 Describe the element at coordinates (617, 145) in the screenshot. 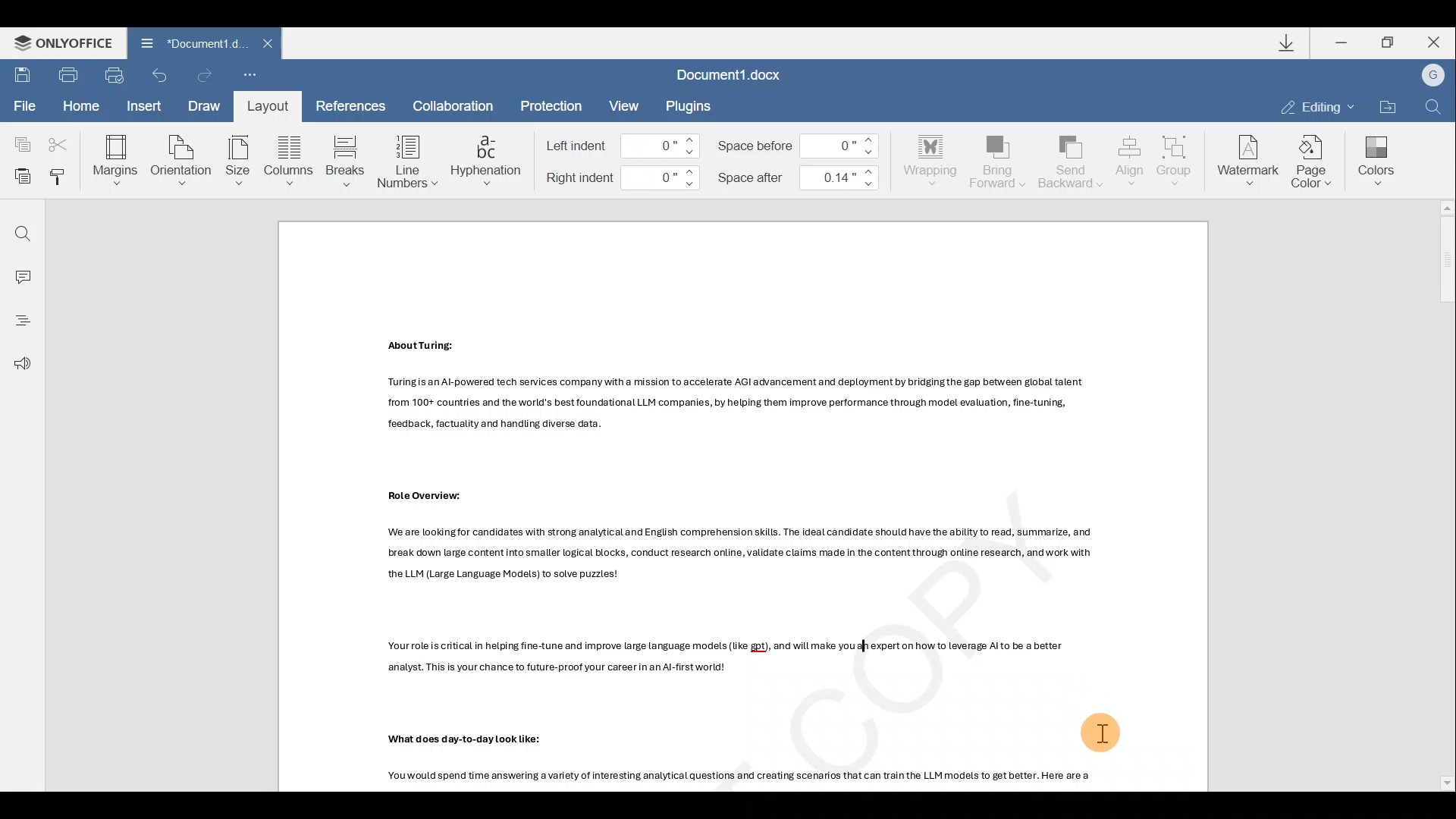

I see `Left indent` at that location.